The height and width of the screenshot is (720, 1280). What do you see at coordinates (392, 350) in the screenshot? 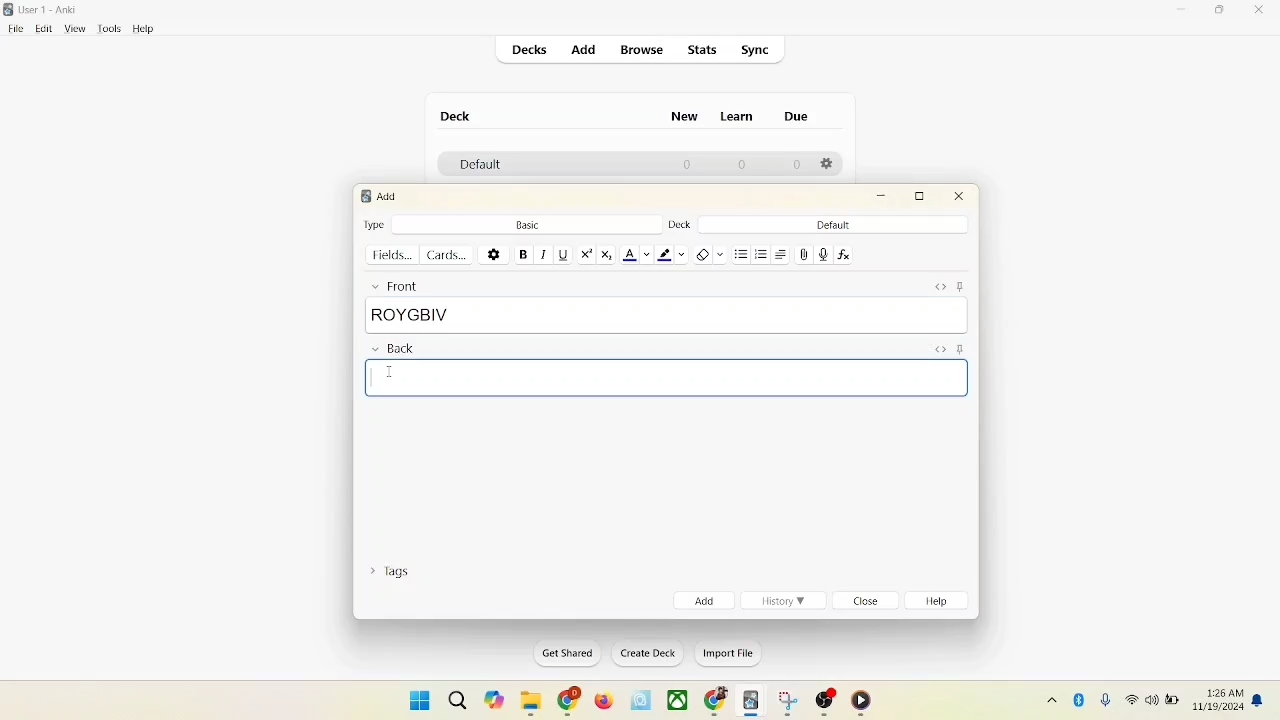
I see `back` at bounding box center [392, 350].